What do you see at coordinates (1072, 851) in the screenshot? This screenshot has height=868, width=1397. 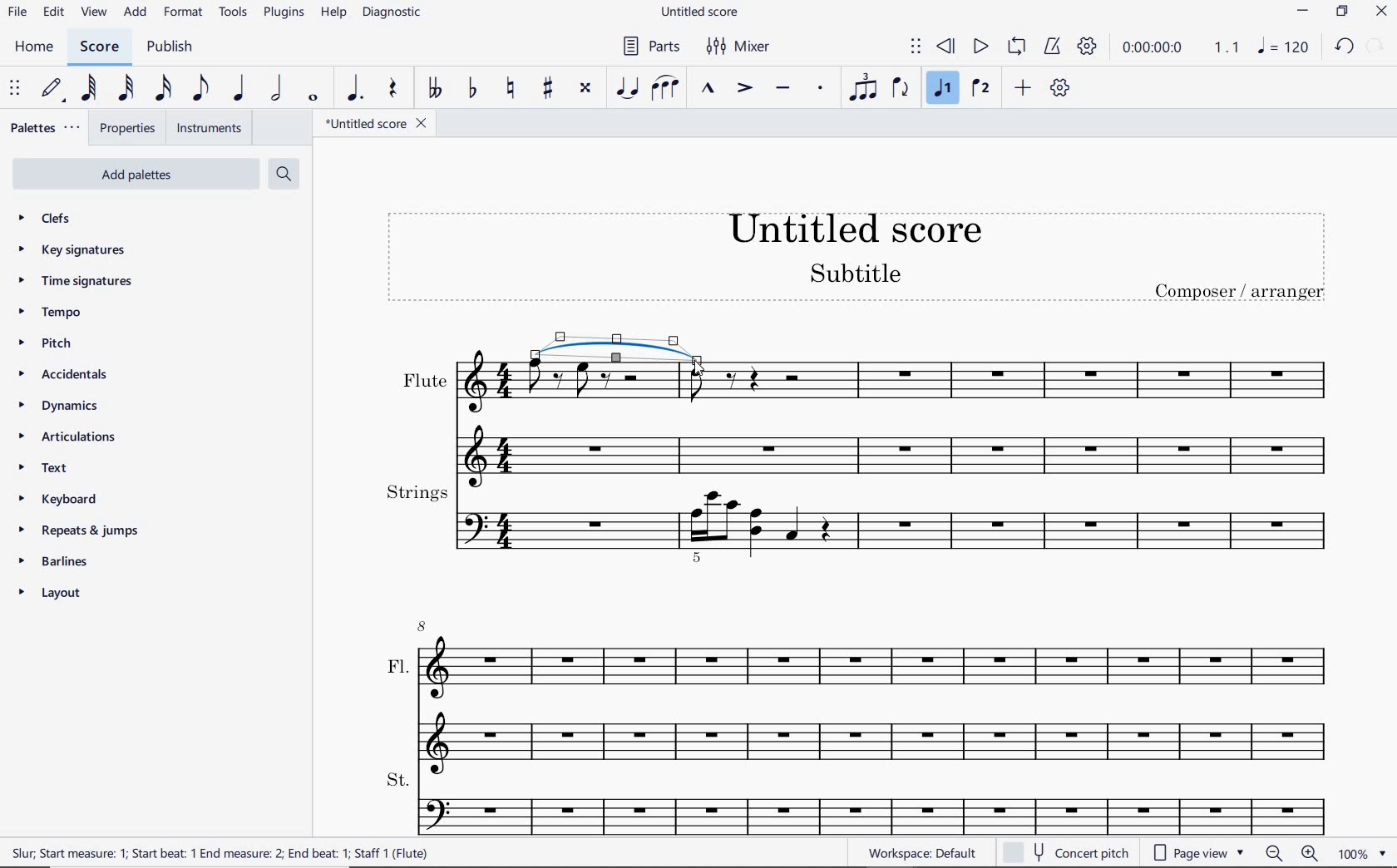 I see `concert pitch` at bounding box center [1072, 851].